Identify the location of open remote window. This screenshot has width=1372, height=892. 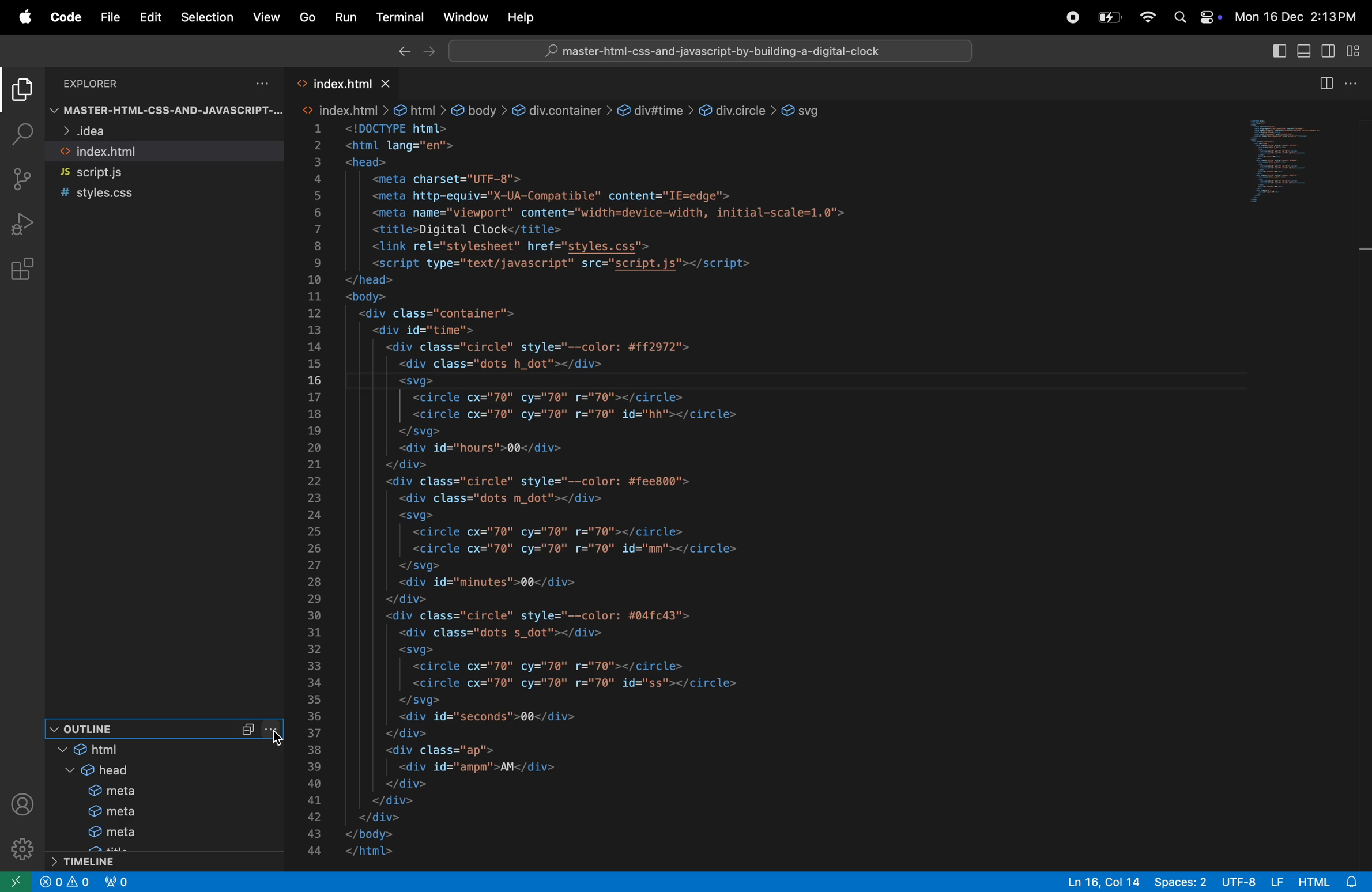
(17, 882).